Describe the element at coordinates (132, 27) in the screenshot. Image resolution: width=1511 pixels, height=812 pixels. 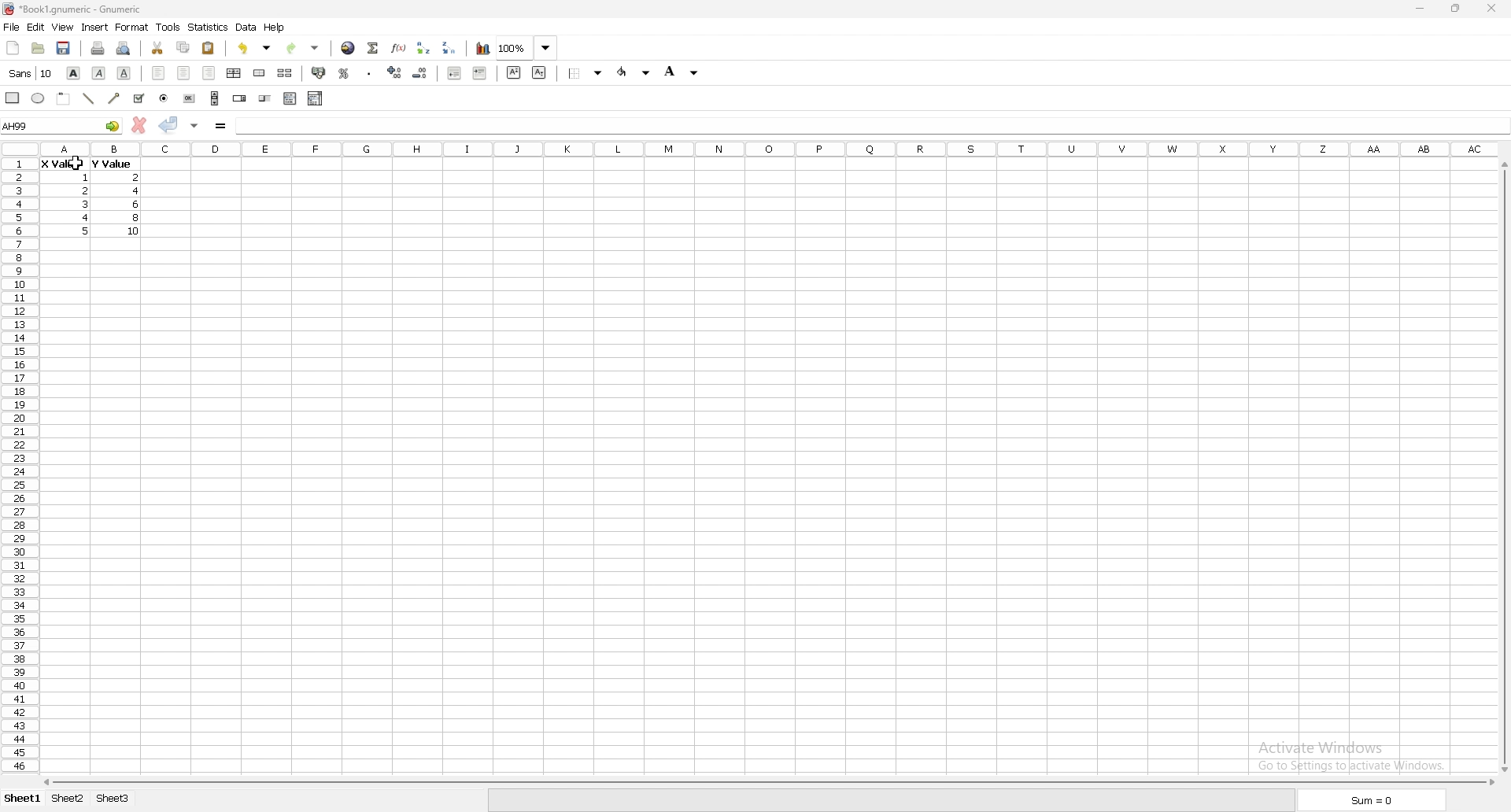
I see `format` at that location.